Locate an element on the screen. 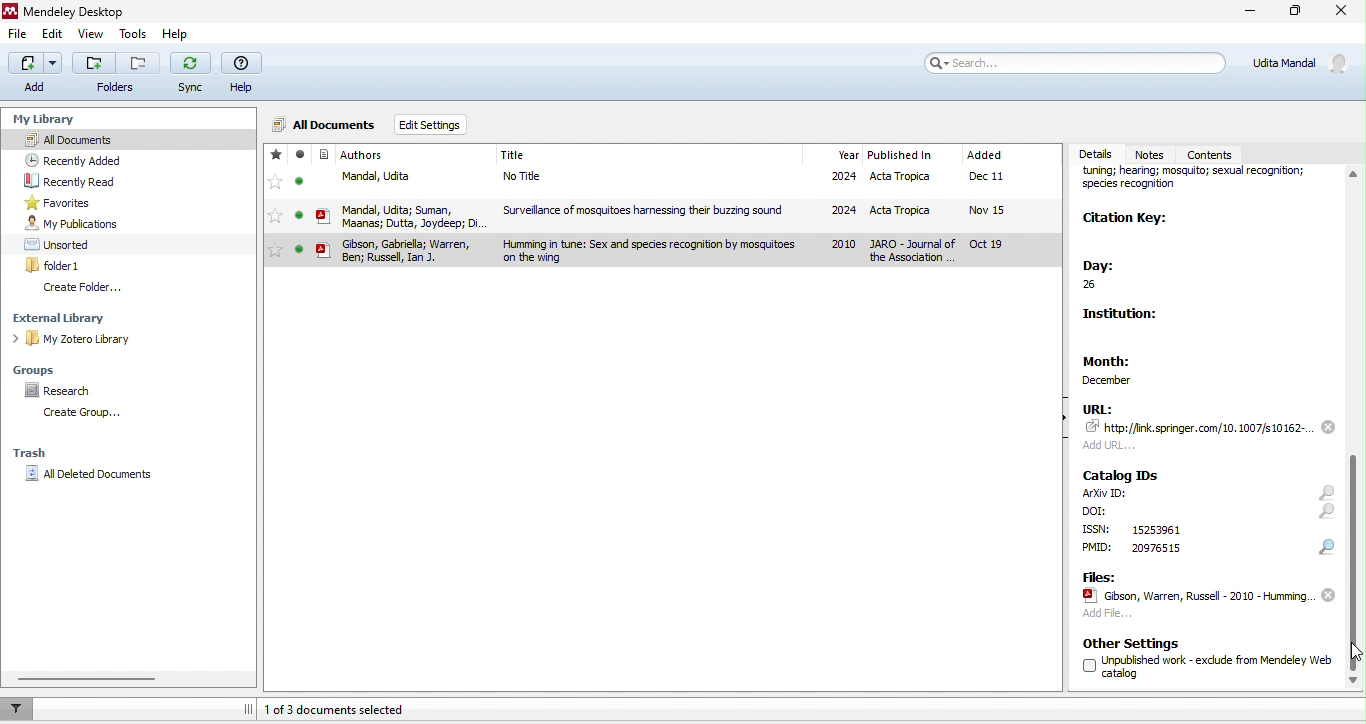 The image size is (1366, 724). text is located at coordinates (1155, 548).